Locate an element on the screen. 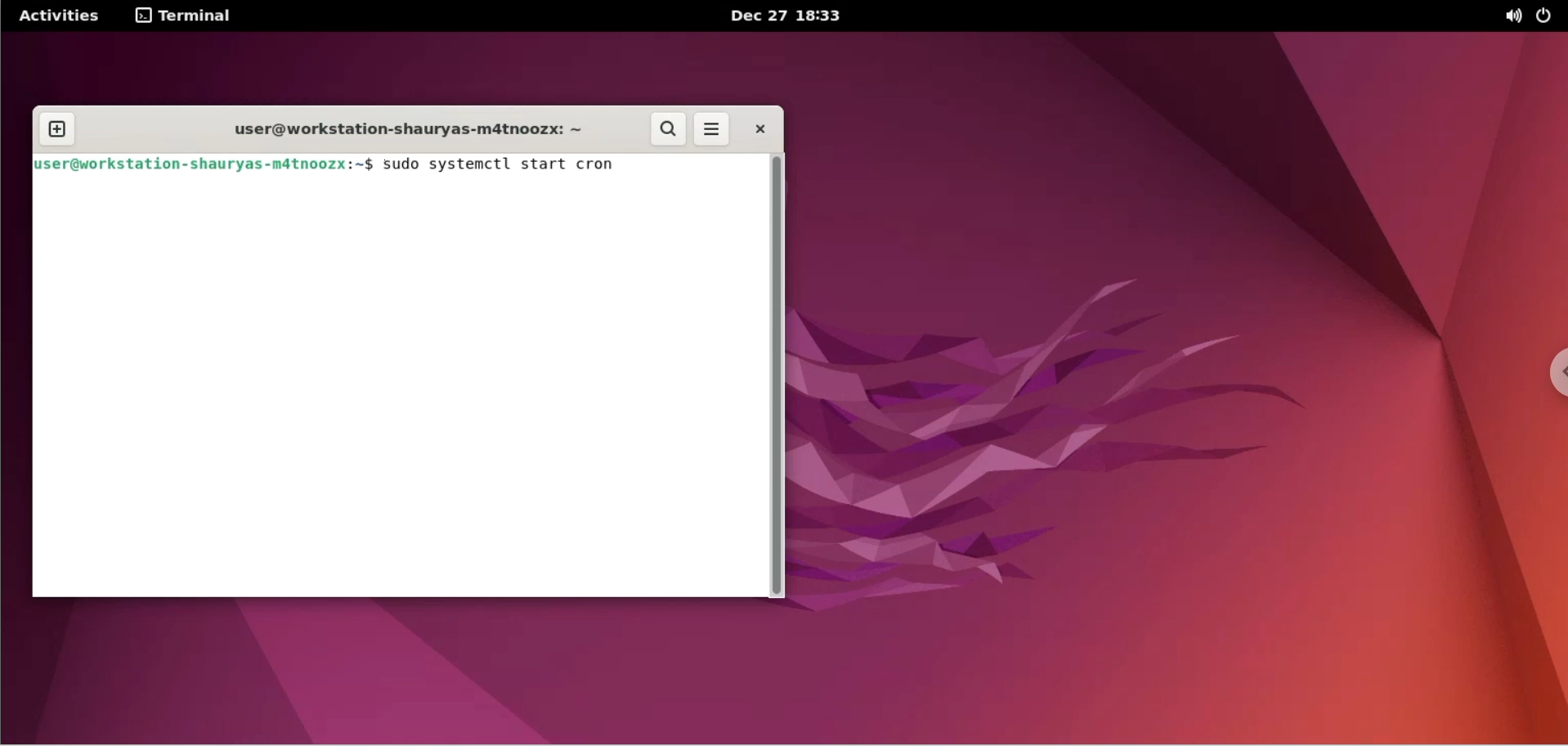  new tab is located at coordinates (56, 128).